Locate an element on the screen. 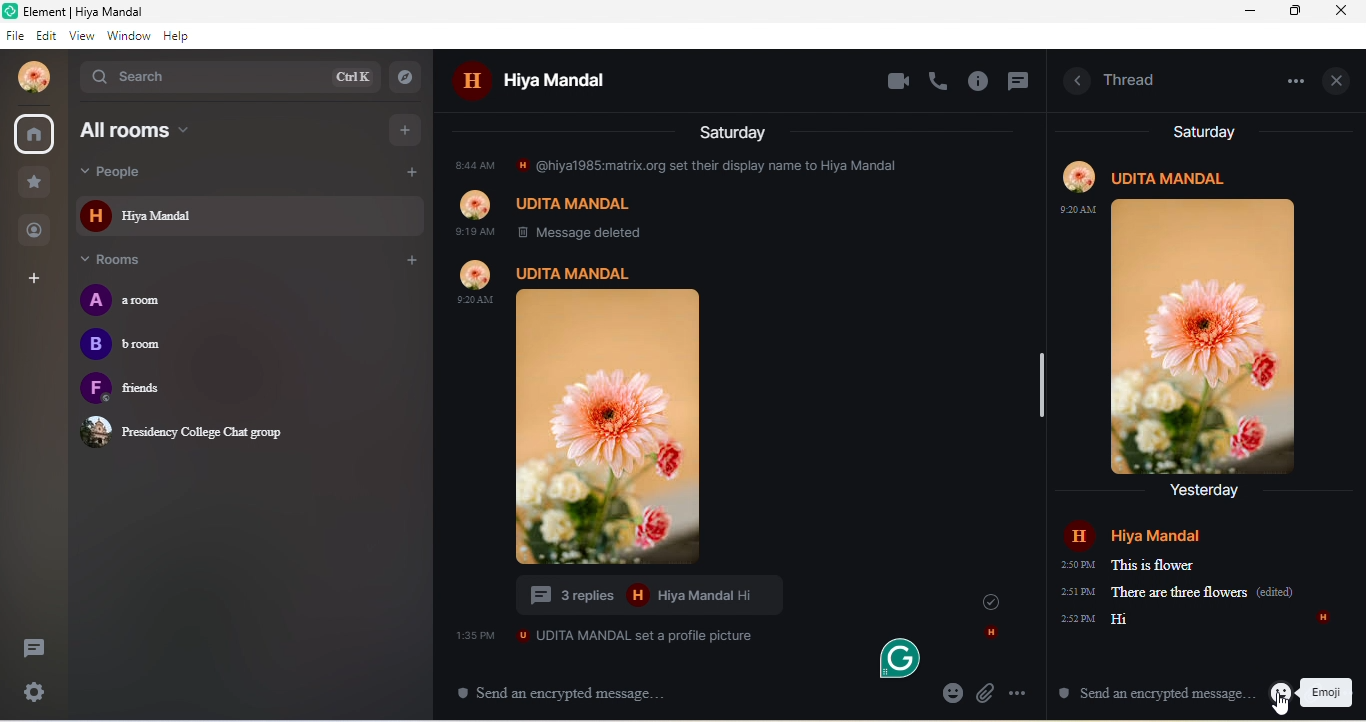 This screenshot has height=722, width=1366. restore is located at coordinates (1295, 10).